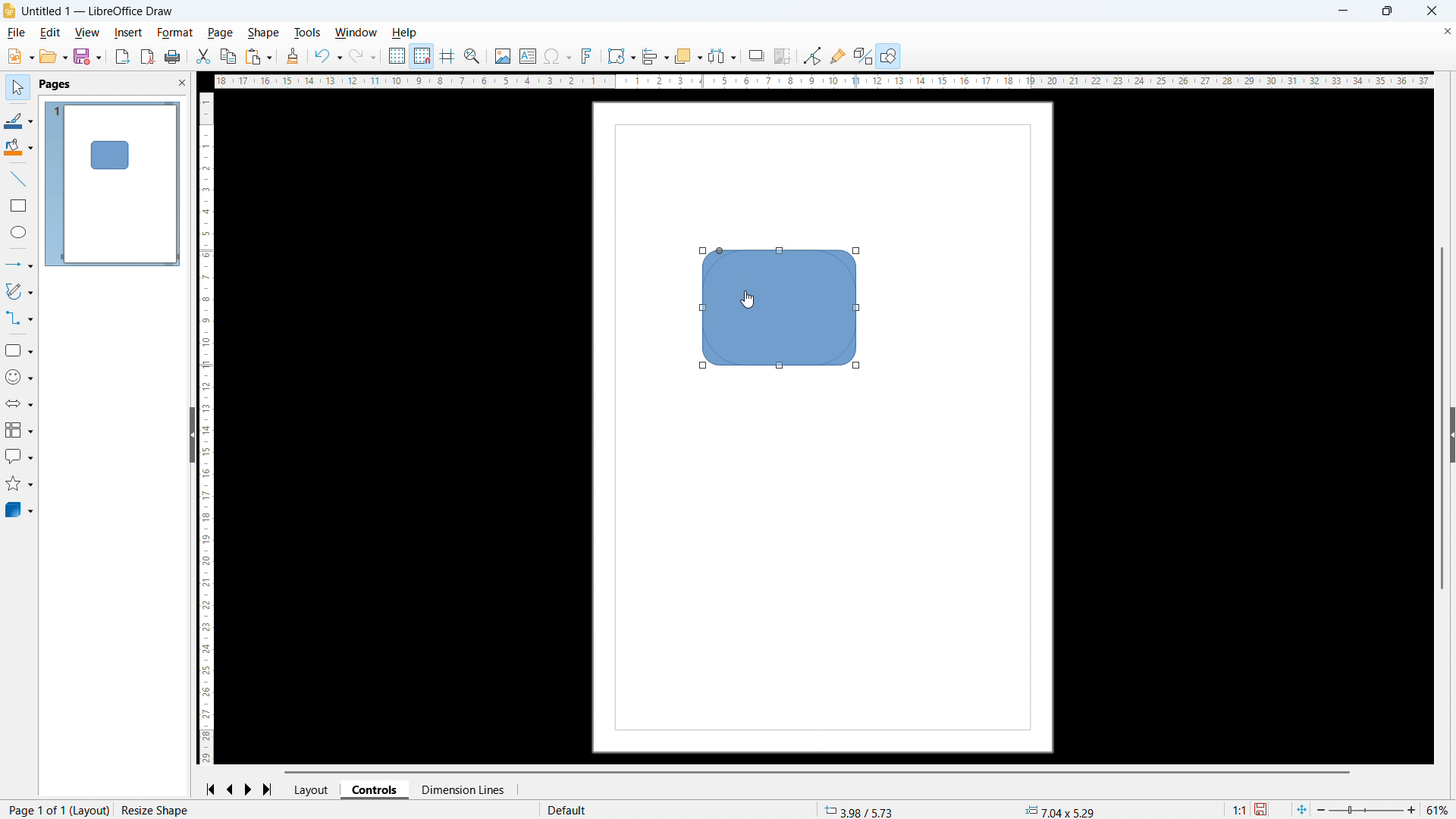  I want to click on Edit , so click(49, 32).